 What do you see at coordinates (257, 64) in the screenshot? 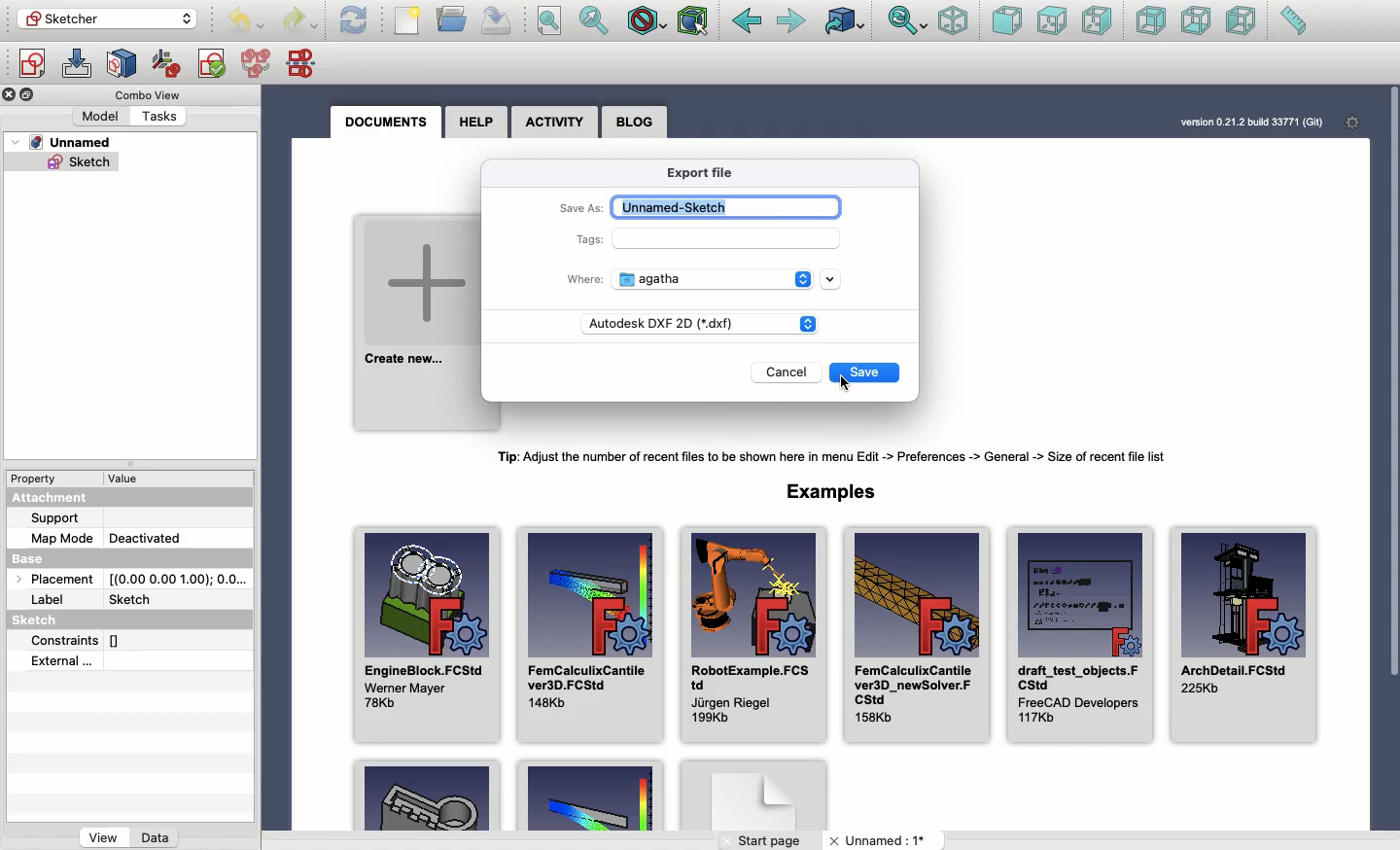
I see `Merge sketches` at bounding box center [257, 64].